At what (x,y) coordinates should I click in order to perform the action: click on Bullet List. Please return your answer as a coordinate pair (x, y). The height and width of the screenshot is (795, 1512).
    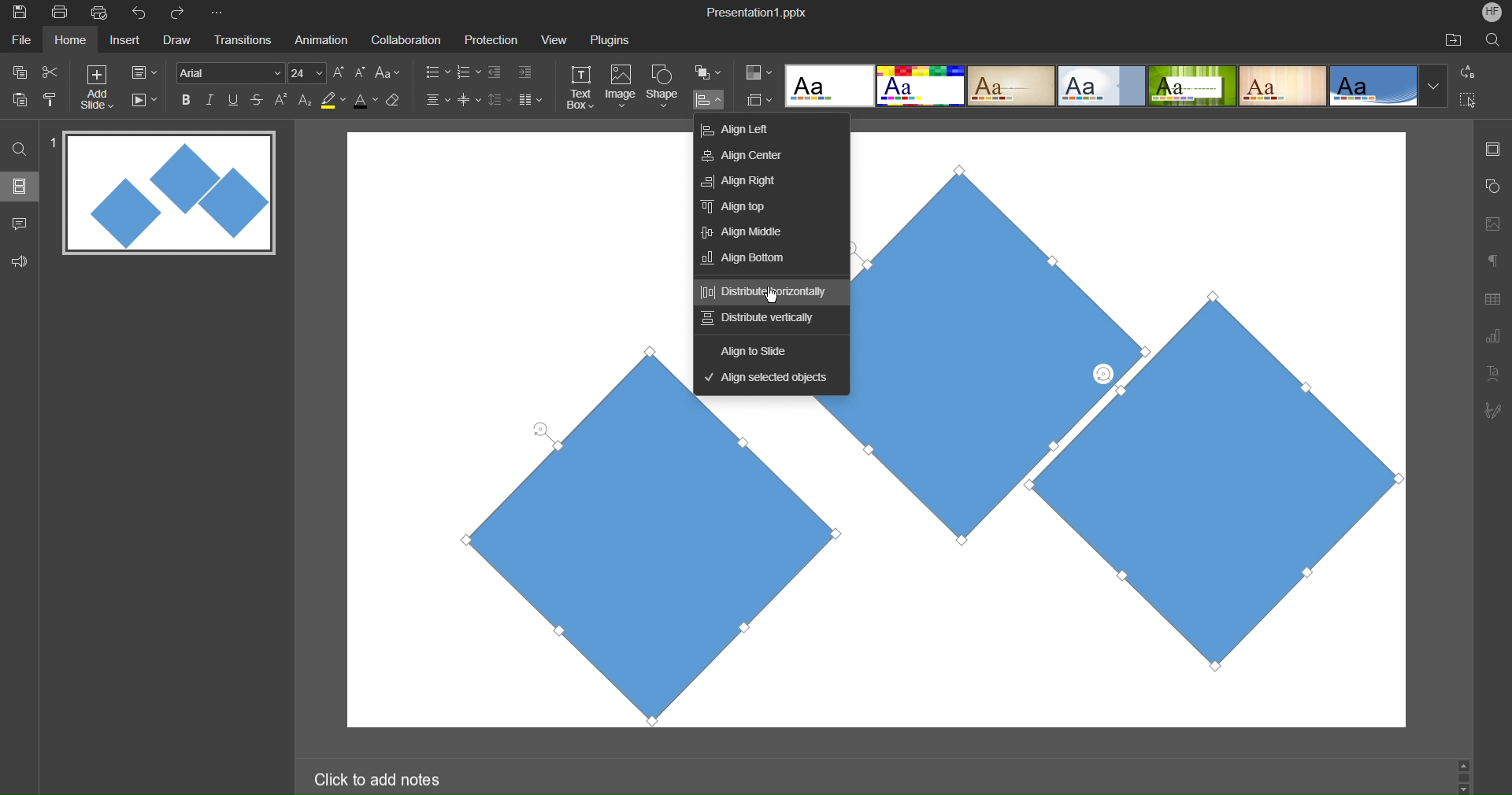
    Looking at the image, I should click on (436, 73).